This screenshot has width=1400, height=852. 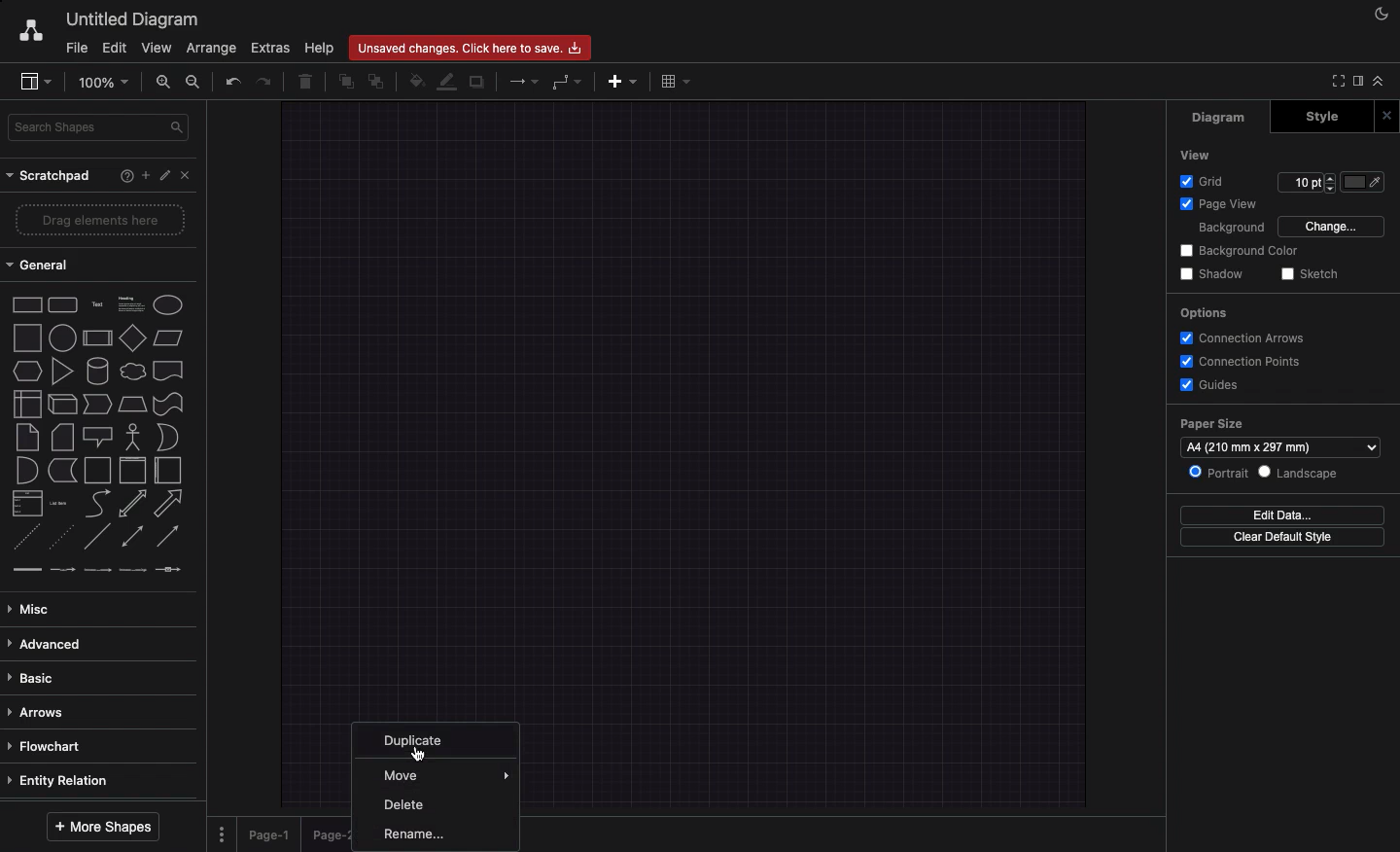 What do you see at coordinates (30, 610) in the screenshot?
I see `Misc` at bounding box center [30, 610].